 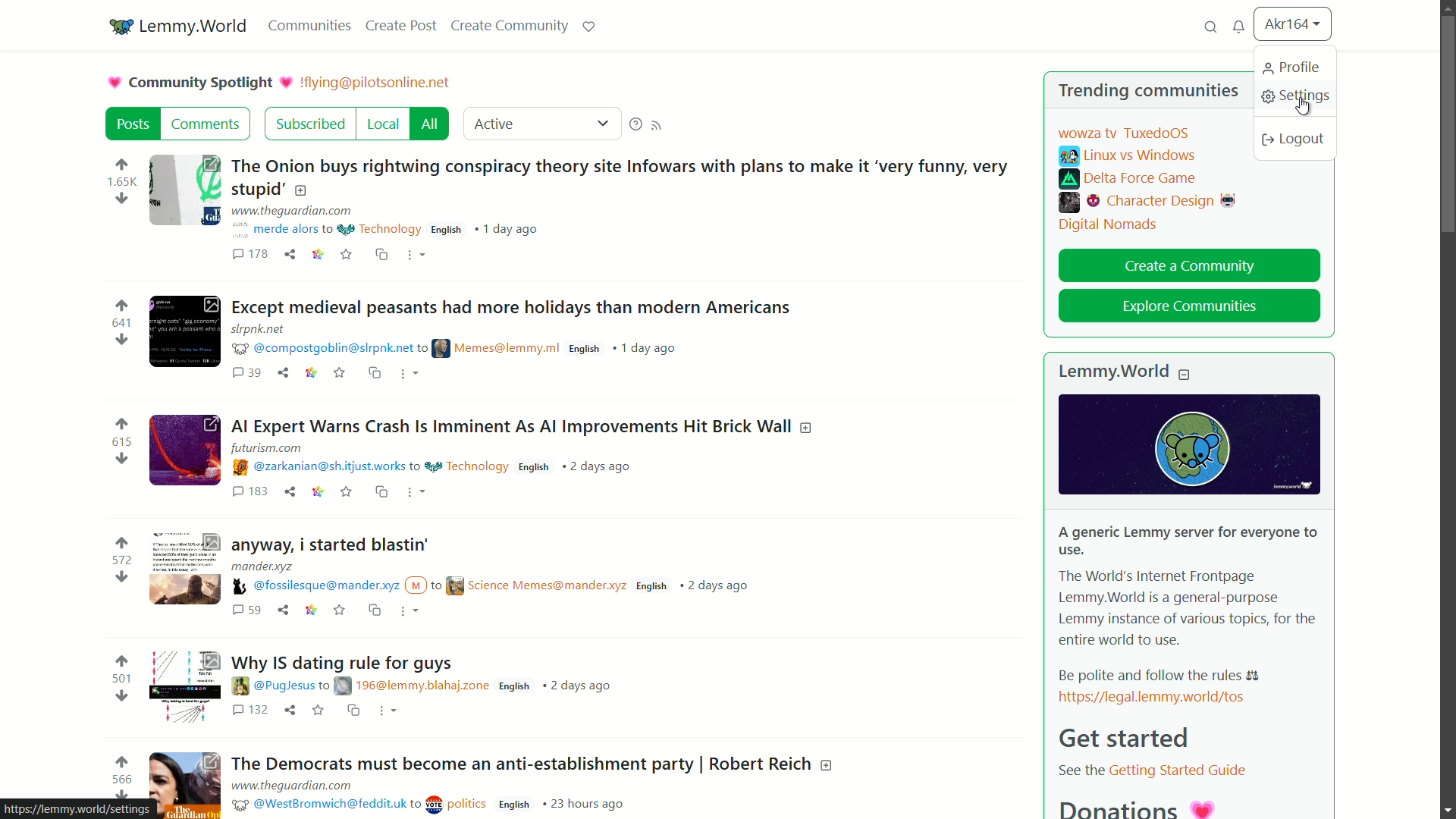 What do you see at coordinates (121, 459) in the screenshot?
I see `downvote` at bounding box center [121, 459].